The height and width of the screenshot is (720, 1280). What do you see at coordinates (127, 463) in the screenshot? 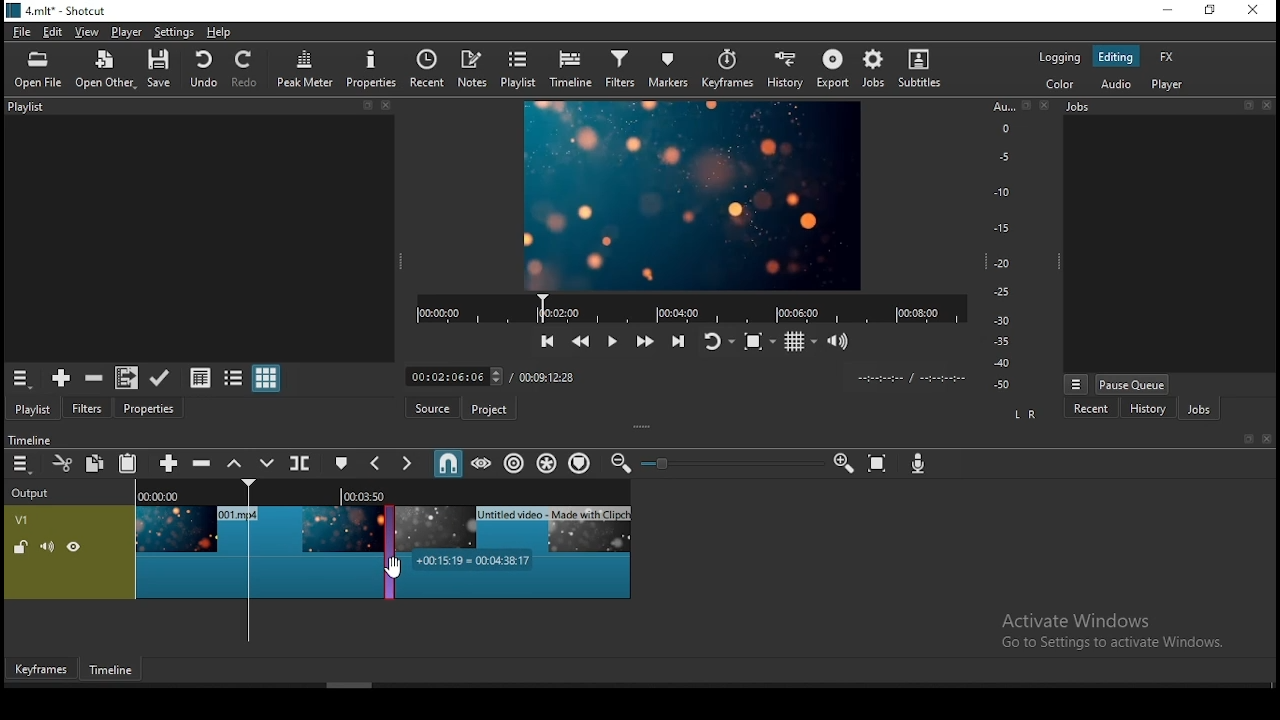
I see `paste` at bounding box center [127, 463].